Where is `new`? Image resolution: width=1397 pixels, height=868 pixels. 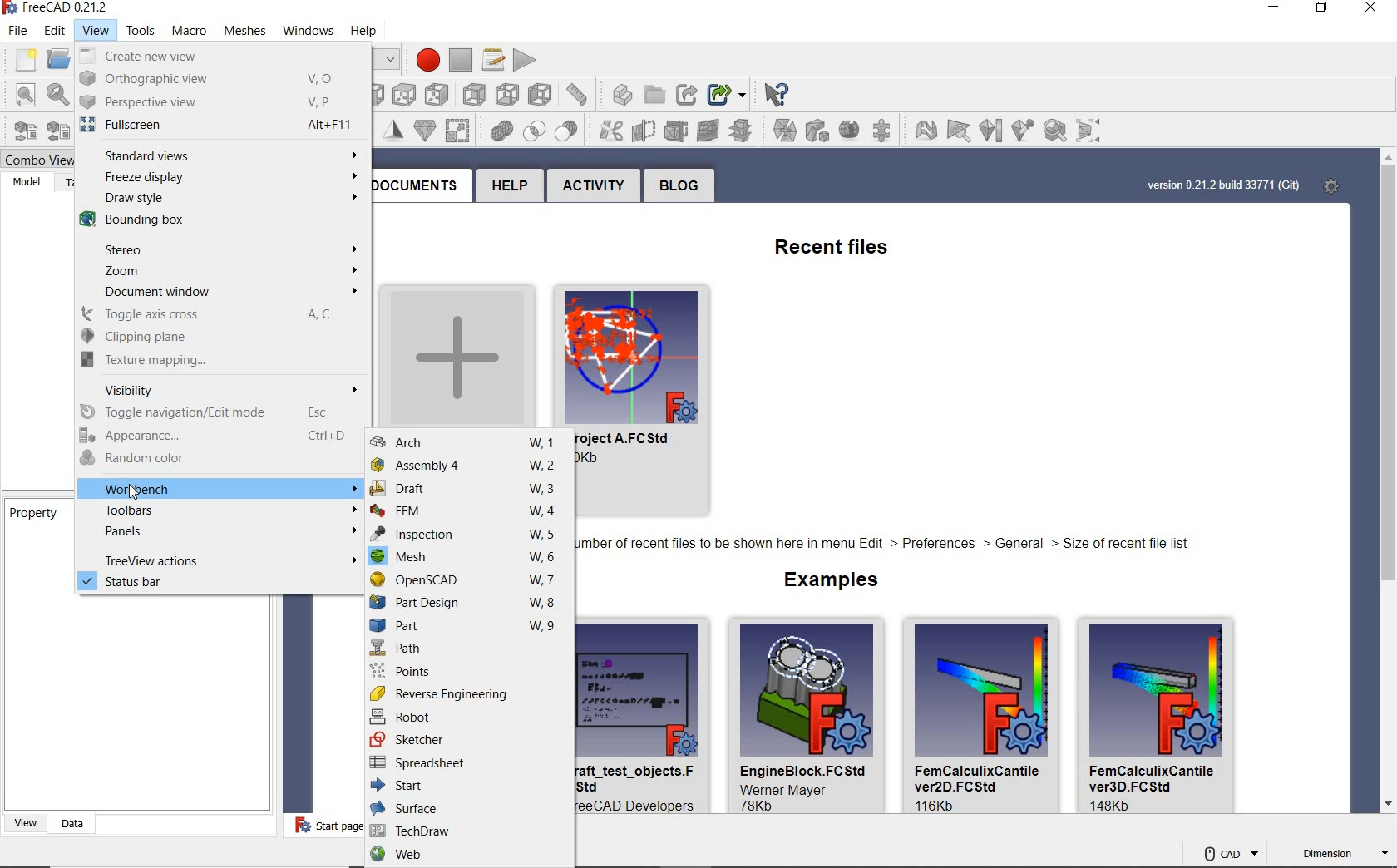 new is located at coordinates (21, 57).